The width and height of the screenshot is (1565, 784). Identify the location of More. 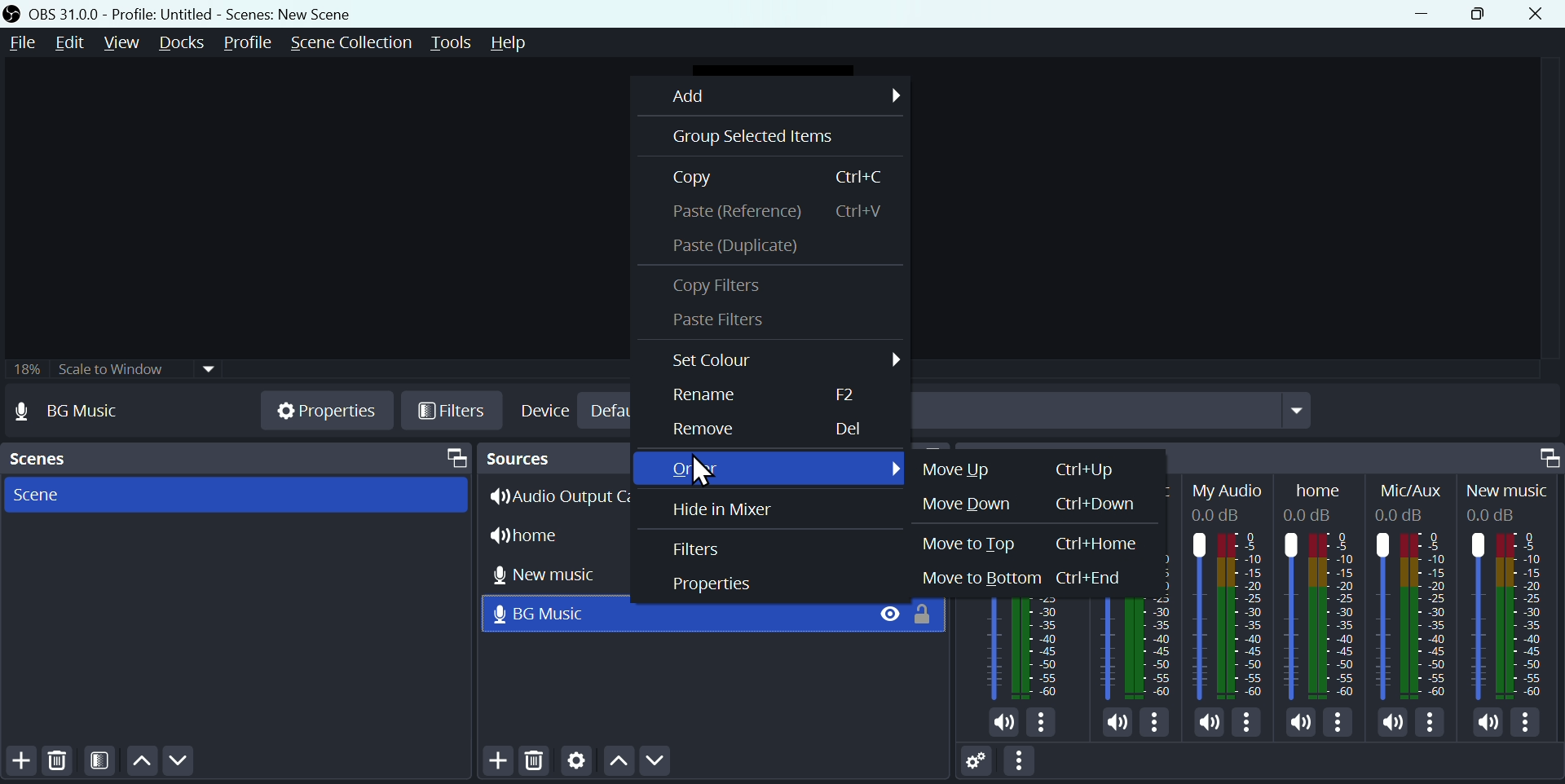
(1436, 726).